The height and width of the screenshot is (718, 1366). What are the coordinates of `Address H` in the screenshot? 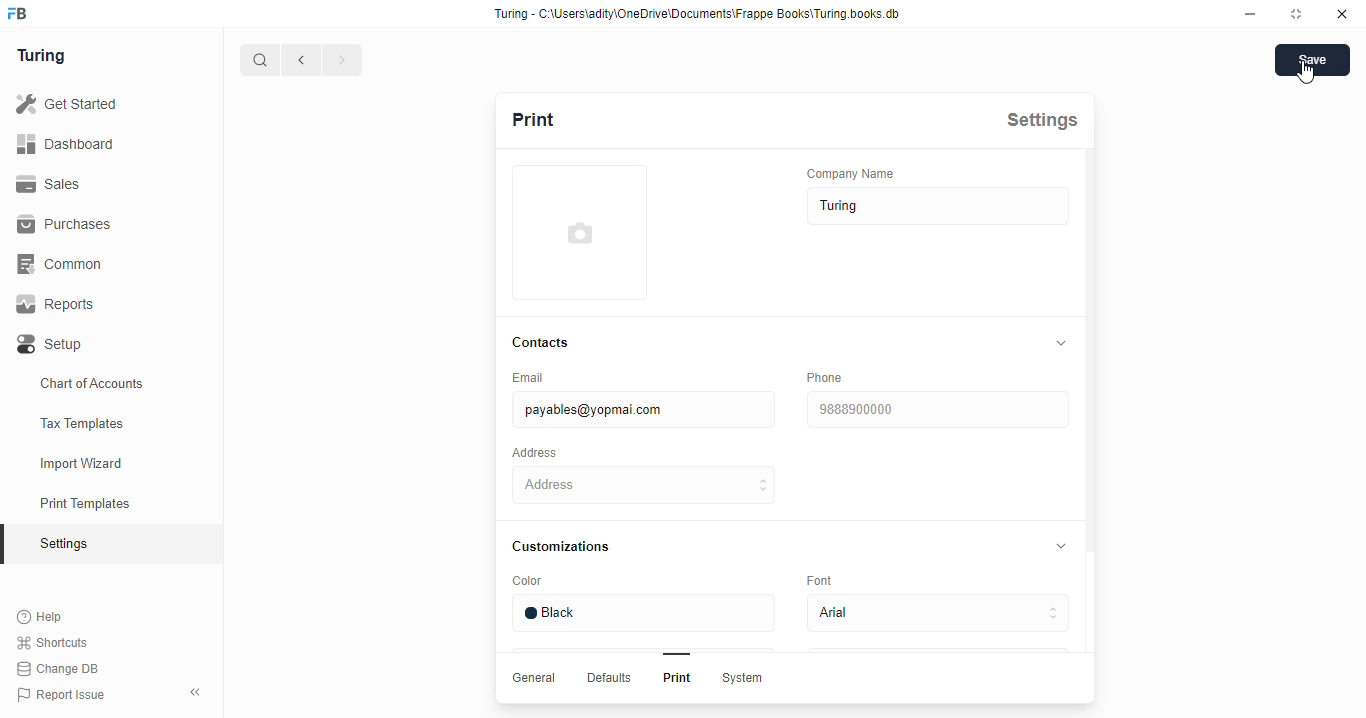 It's located at (670, 481).